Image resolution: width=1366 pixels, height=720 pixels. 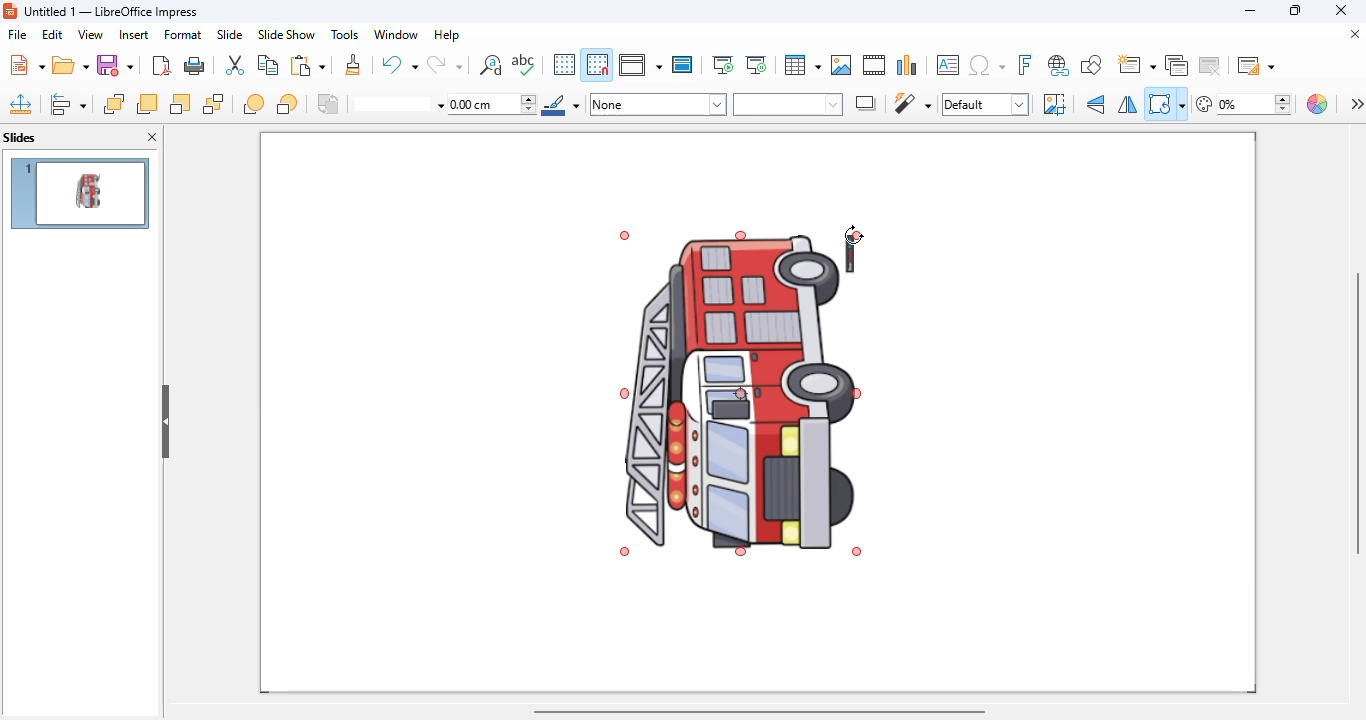 What do you see at coordinates (1026, 64) in the screenshot?
I see `insert fontwork text` at bounding box center [1026, 64].